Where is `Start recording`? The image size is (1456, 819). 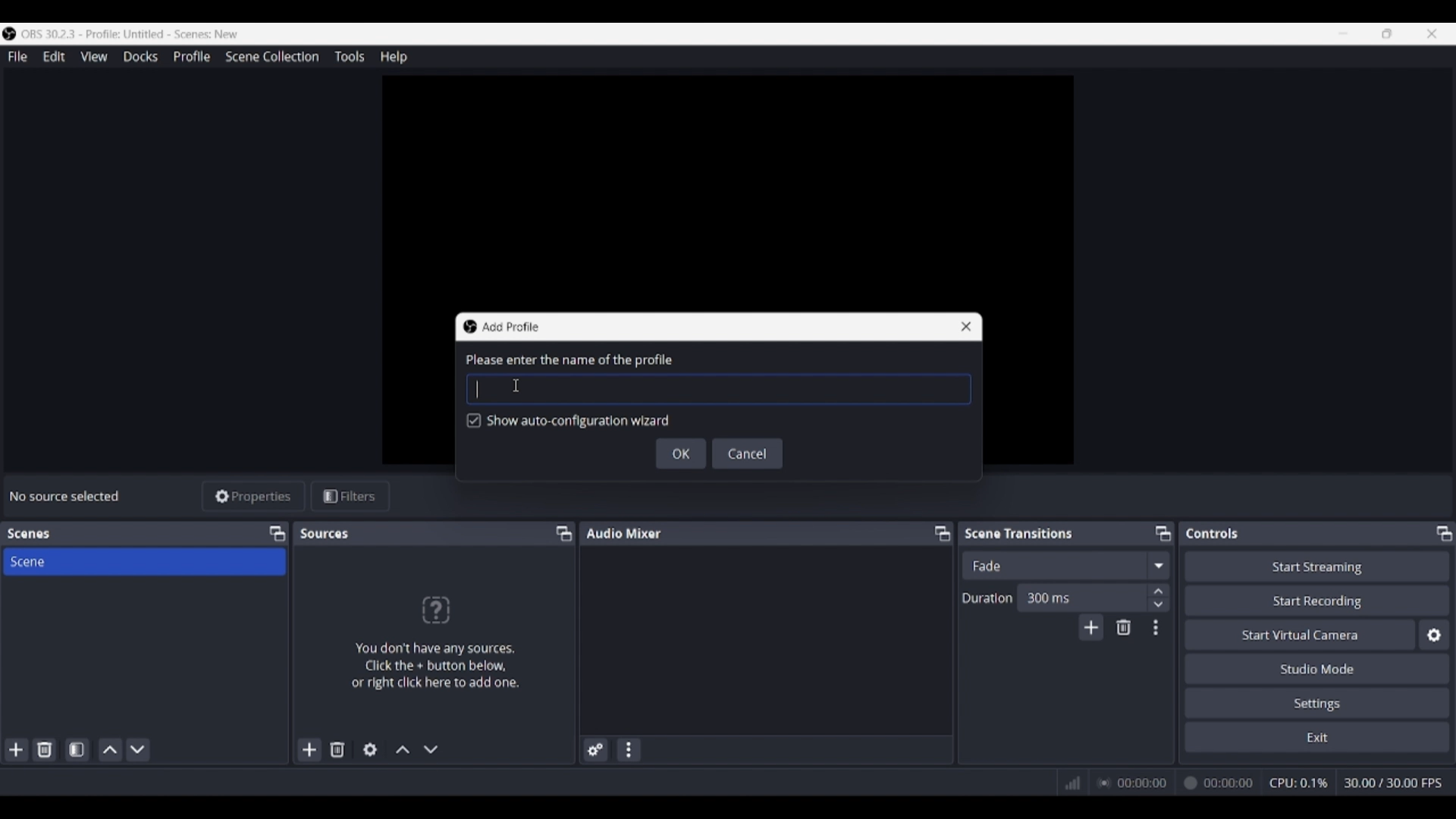
Start recording is located at coordinates (1318, 600).